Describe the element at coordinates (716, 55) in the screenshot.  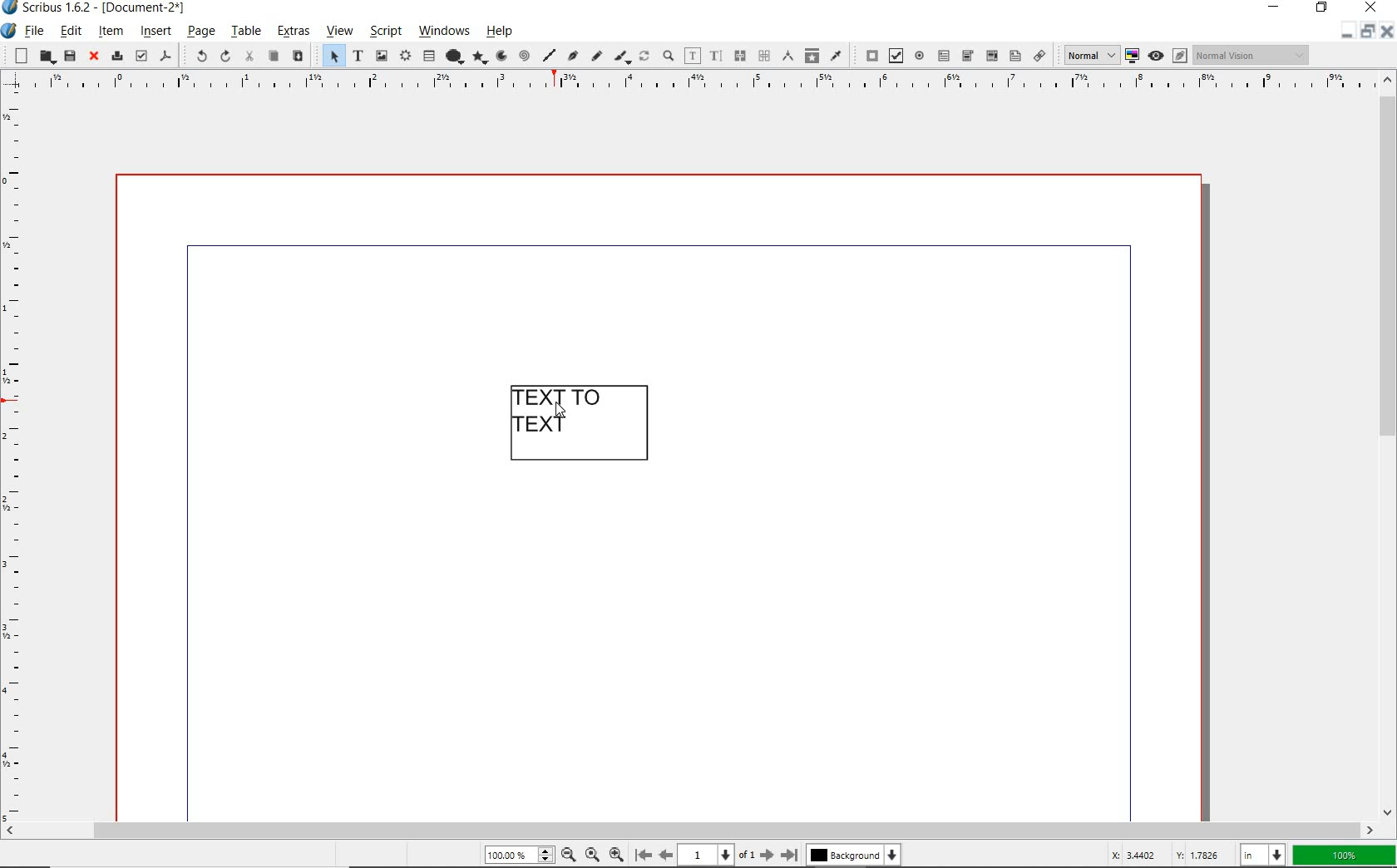
I see `edit text with story editor` at that location.